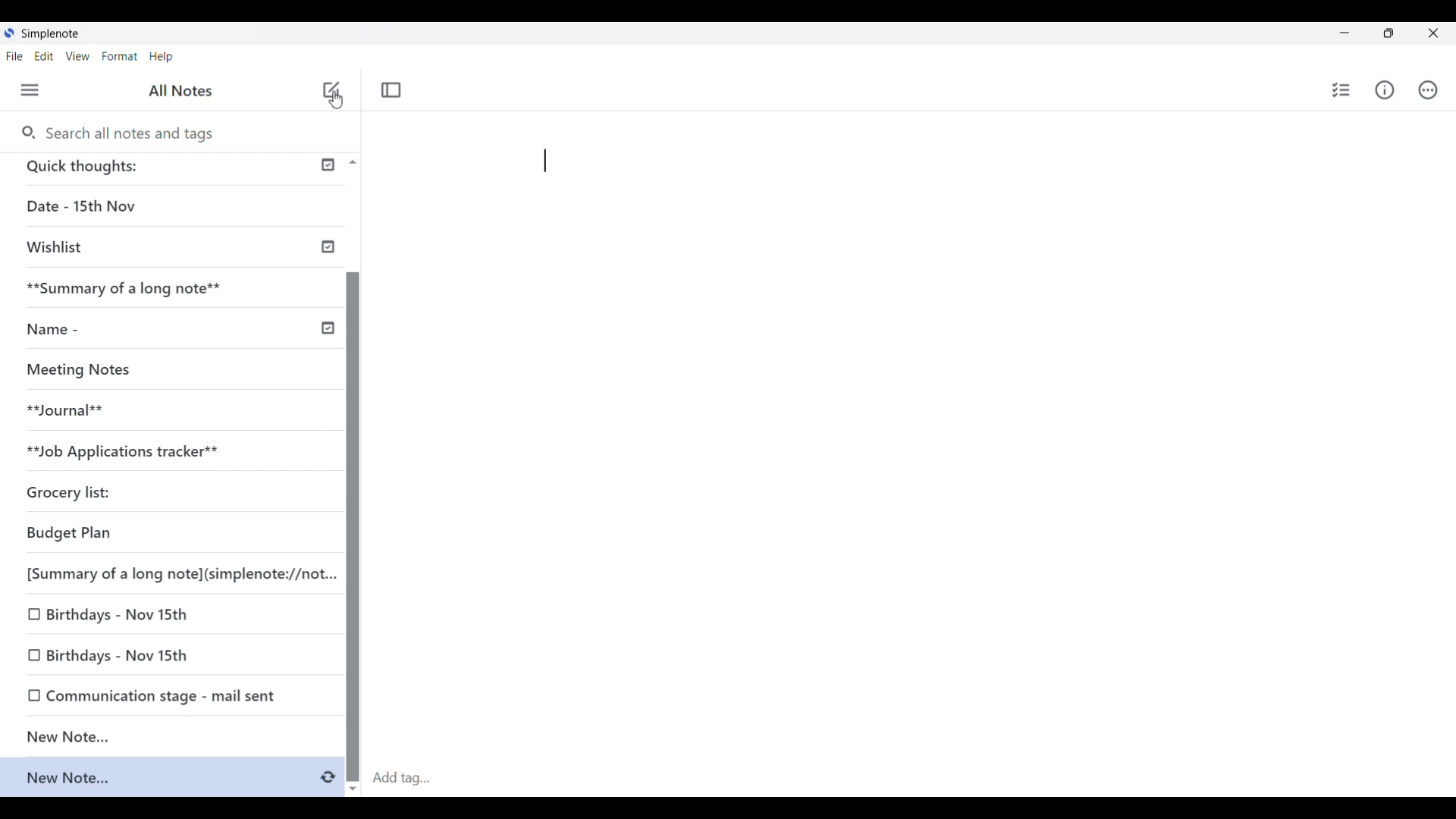 Image resolution: width=1456 pixels, height=819 pixels. Describe the element at coordinates (183, 89) in the screenshot. I see `Title of left panel` at that location.